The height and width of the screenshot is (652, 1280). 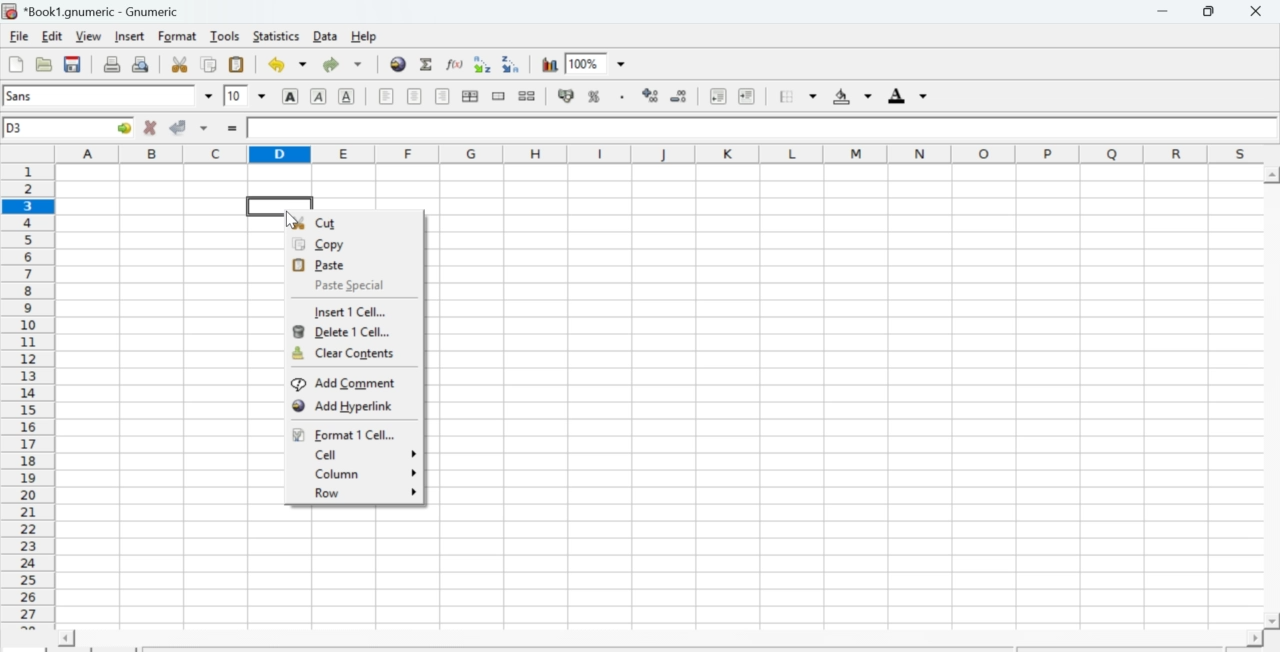 I want to click on Sort ascending, so click(x=482, y=65).